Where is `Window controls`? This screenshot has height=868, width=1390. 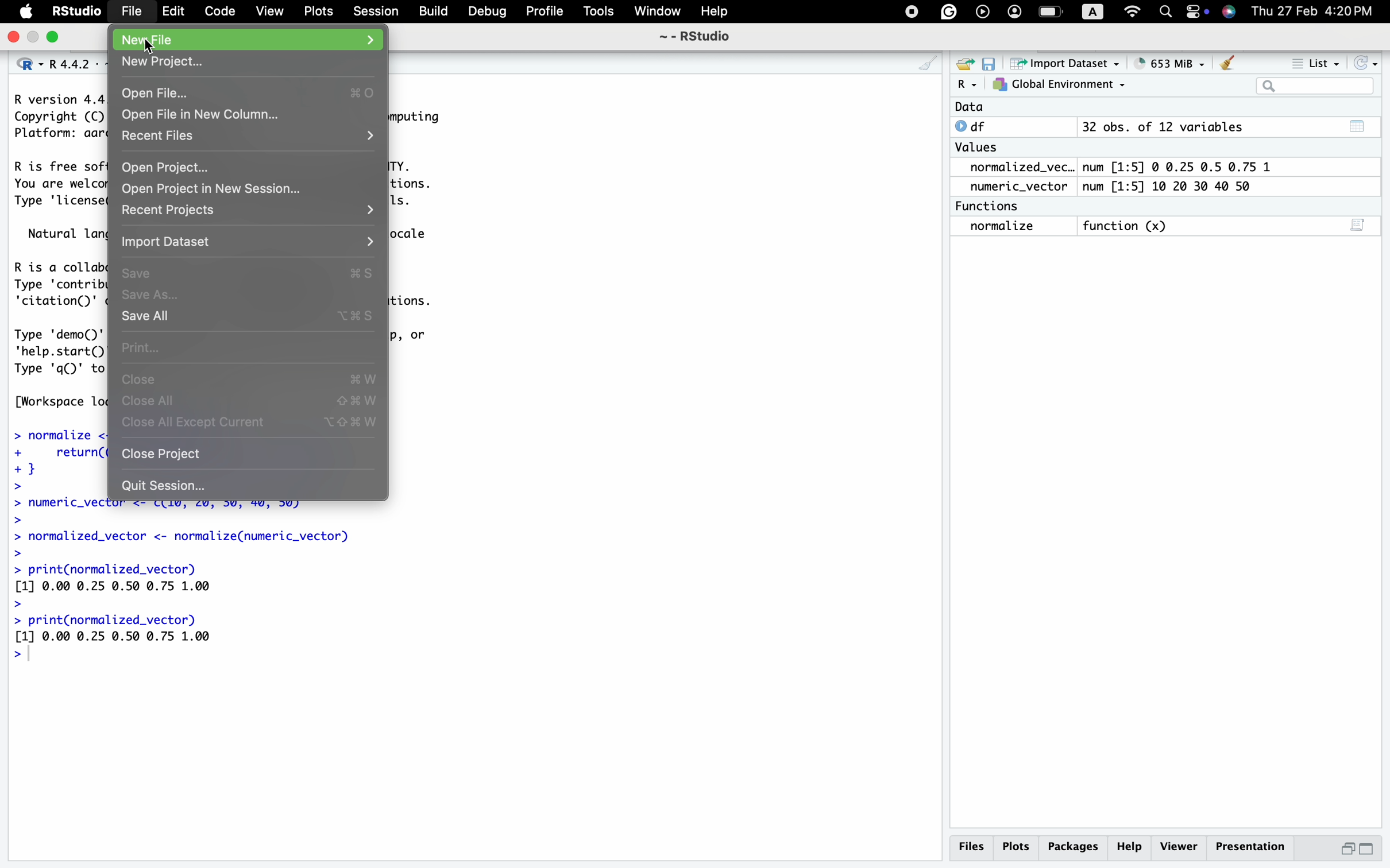
Window controls is located at coordinates (34, 38).